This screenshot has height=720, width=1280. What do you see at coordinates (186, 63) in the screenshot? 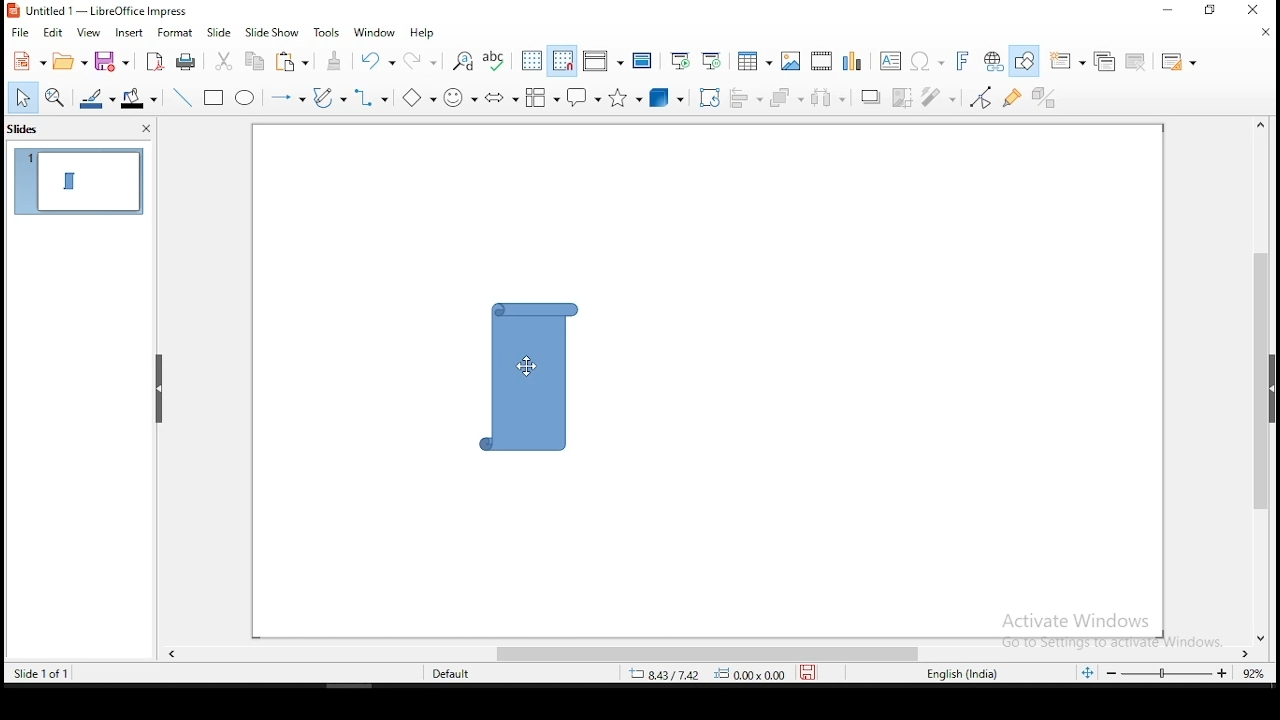
I see `print` at bounding box center [186, 63].